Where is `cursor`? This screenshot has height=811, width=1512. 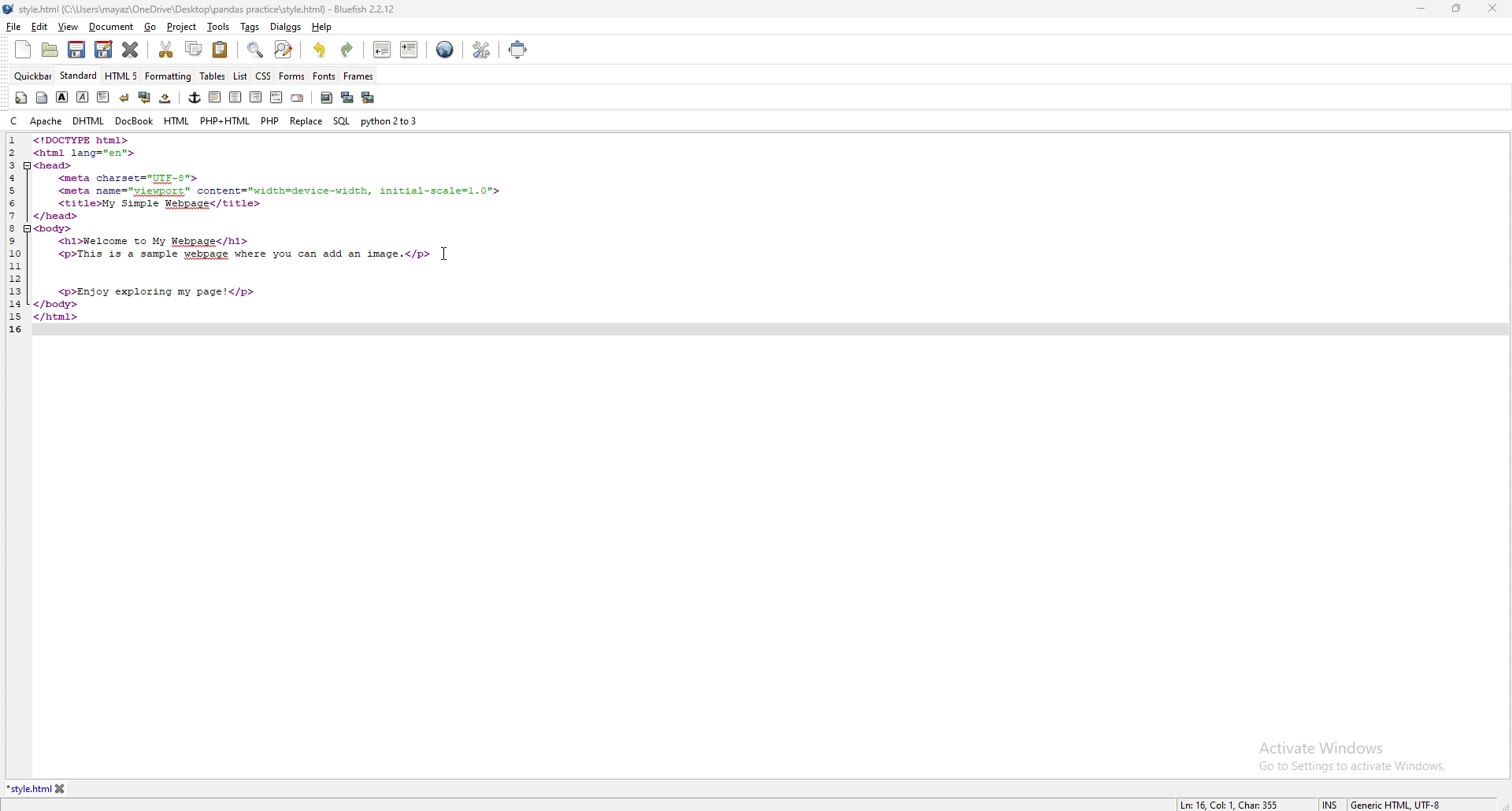 cursor is located at coordinates (444, 254).